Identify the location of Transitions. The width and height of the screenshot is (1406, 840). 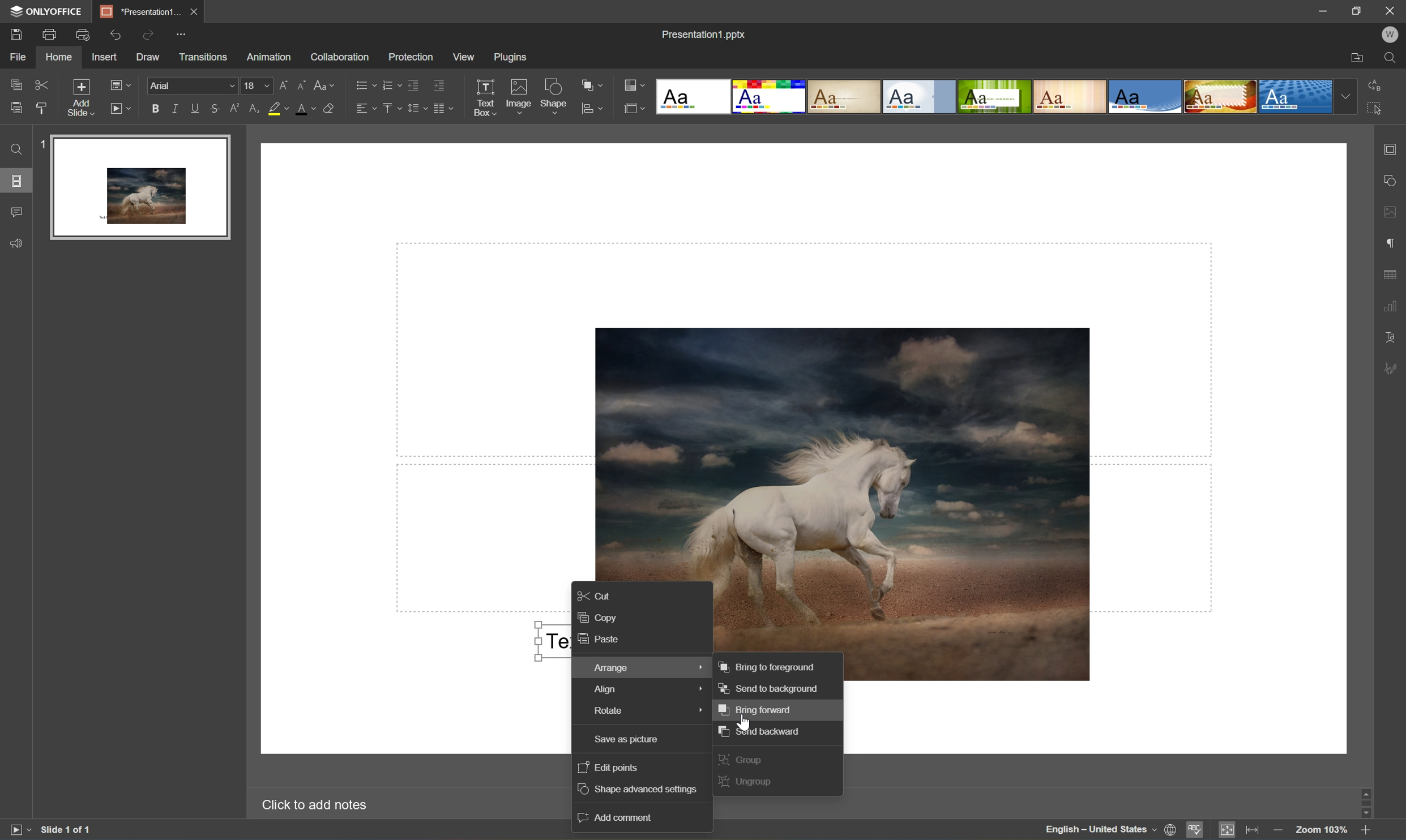
(203, 57).